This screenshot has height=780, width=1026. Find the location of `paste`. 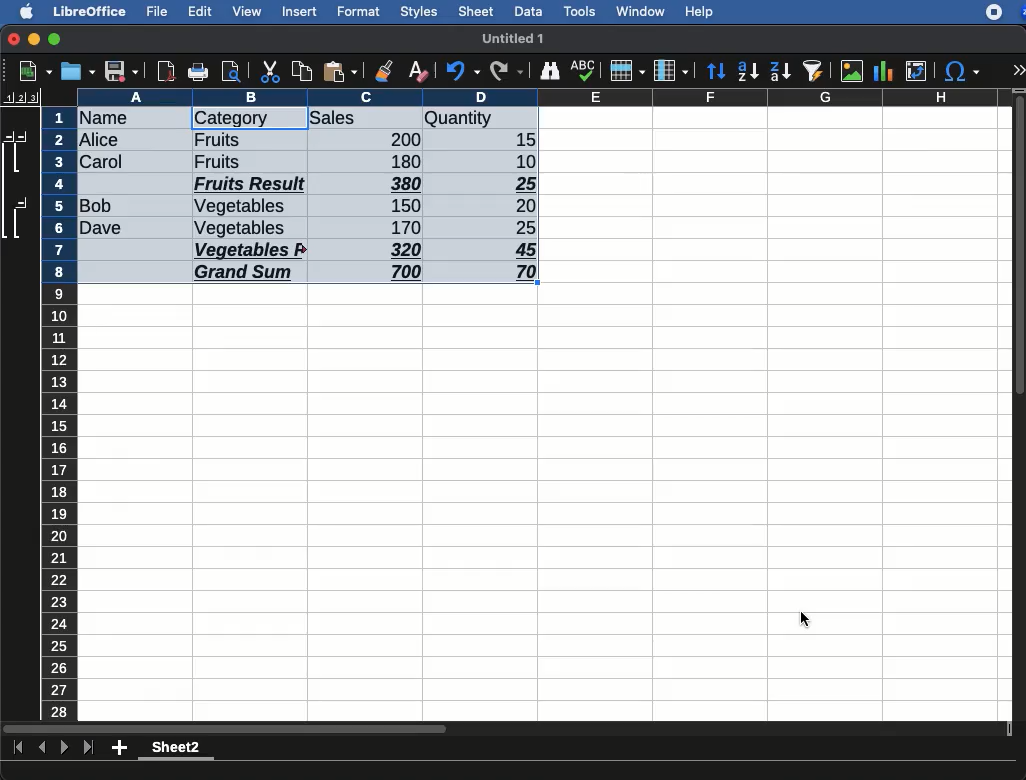

paste is located at coordinates (339, 71).